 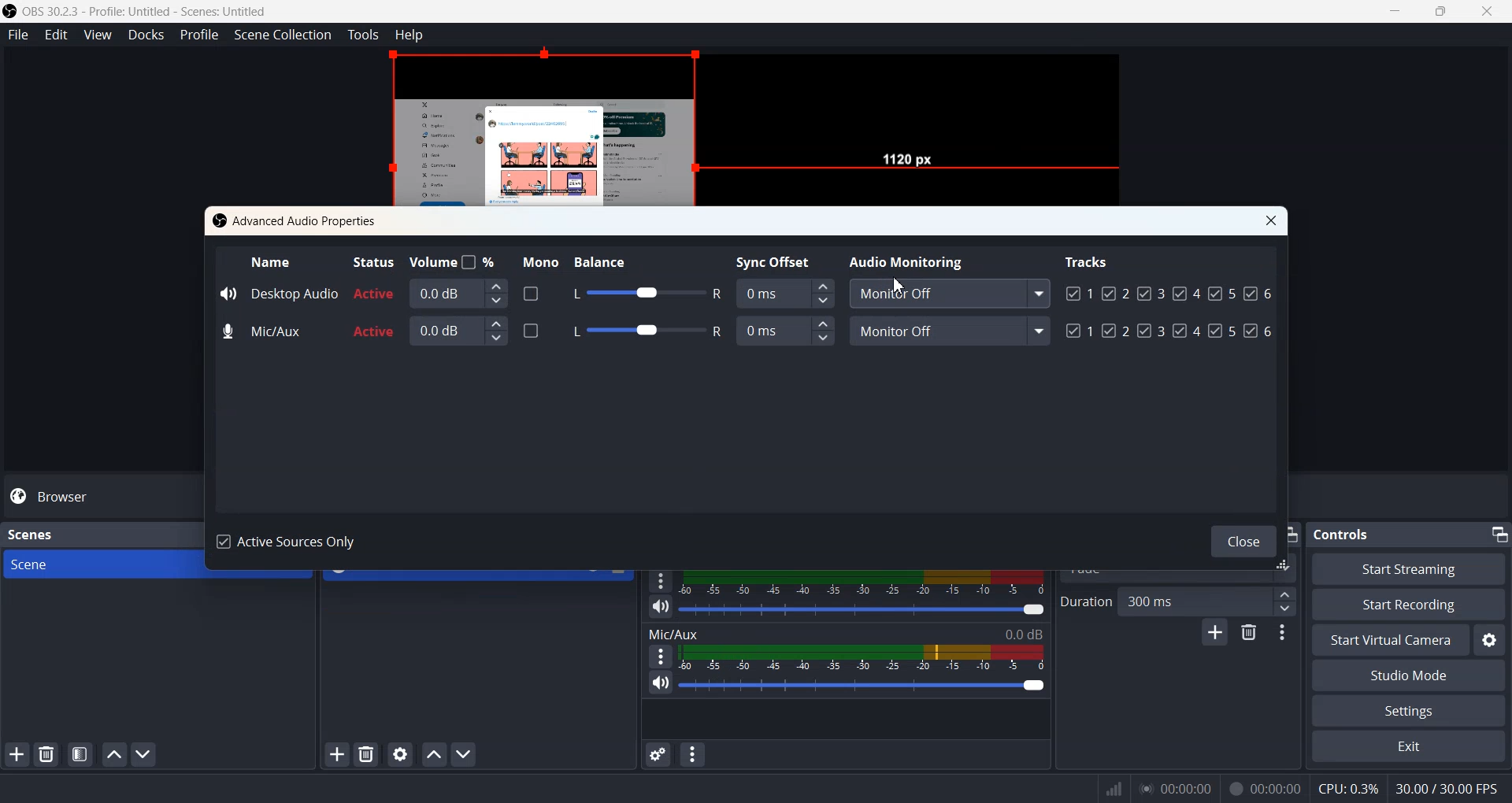 What do you see at coordinates (1088, 261) in the screenshot?
I see `Tracks` at bounding box center [1088, 261].